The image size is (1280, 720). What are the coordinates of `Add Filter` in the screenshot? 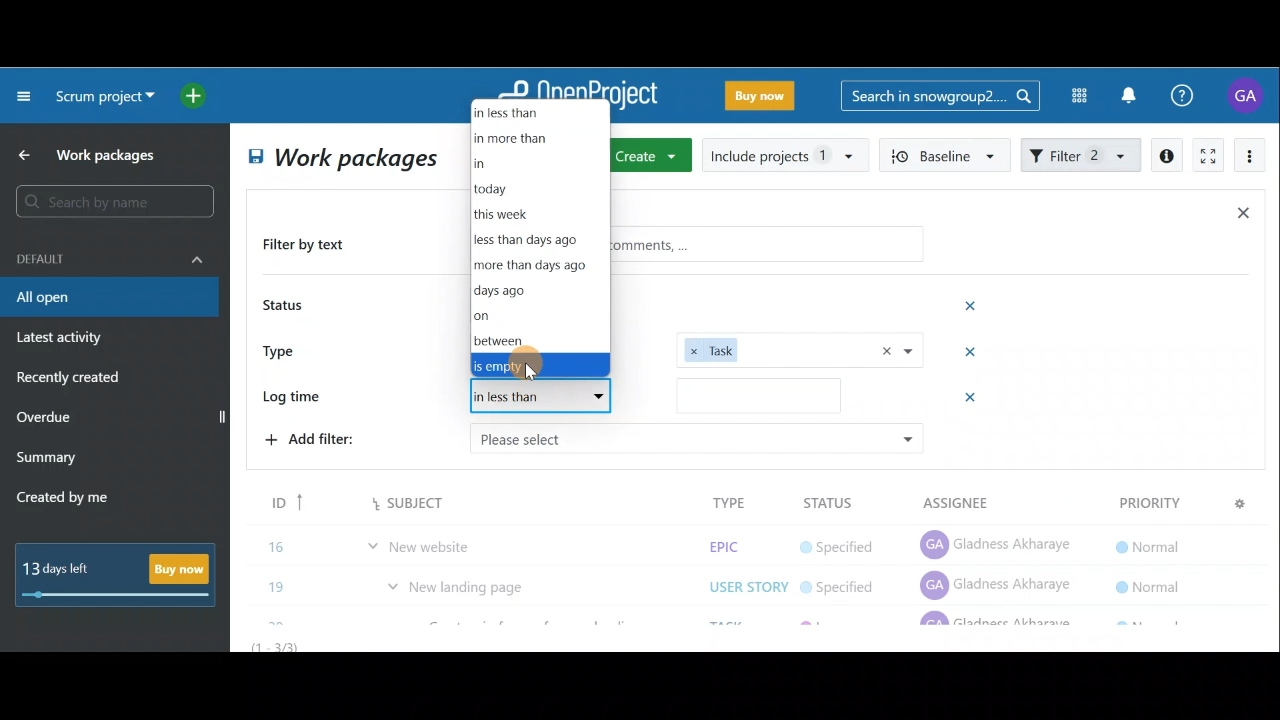 It's located at (316, 397).